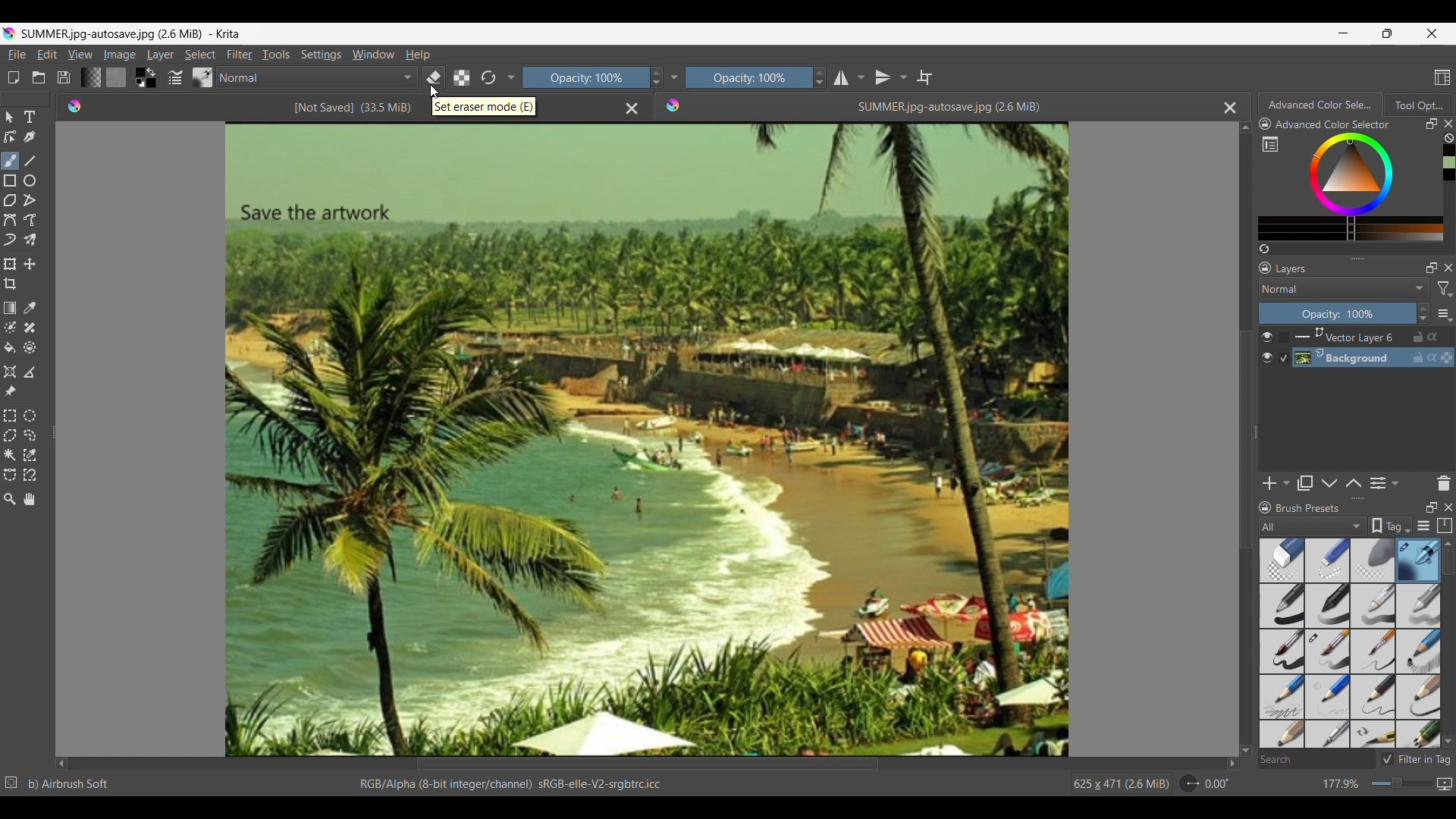 The image size is (1456, 819). What do you see at coordinates (30, 309) in the screenshot?
I see `Sample color from current layer` at bounding box center [30, 309].